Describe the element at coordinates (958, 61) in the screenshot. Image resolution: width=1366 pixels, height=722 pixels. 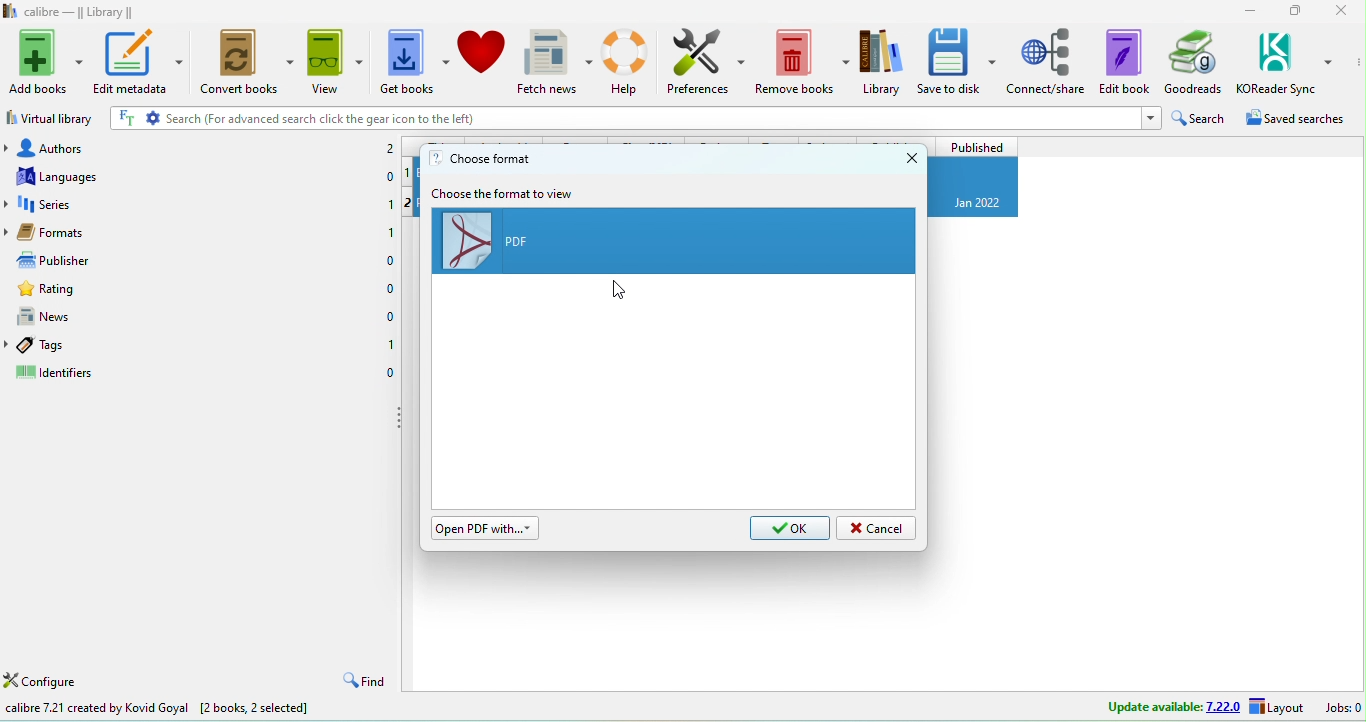
I see `Save to disk` at that location.